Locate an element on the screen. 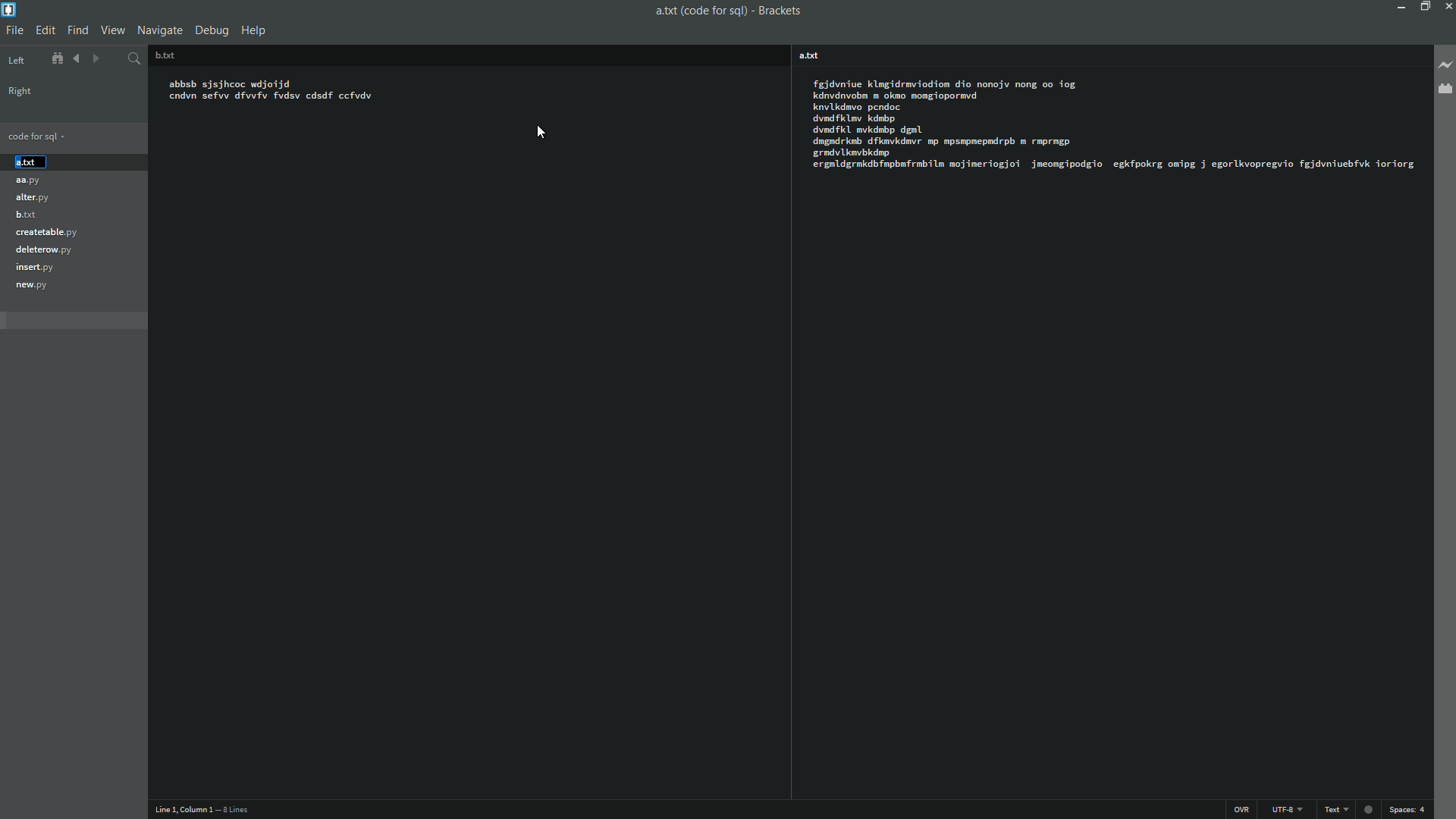 The height and width of the screenshot is (819, 1456). text is located at coordinates (1341, 811).